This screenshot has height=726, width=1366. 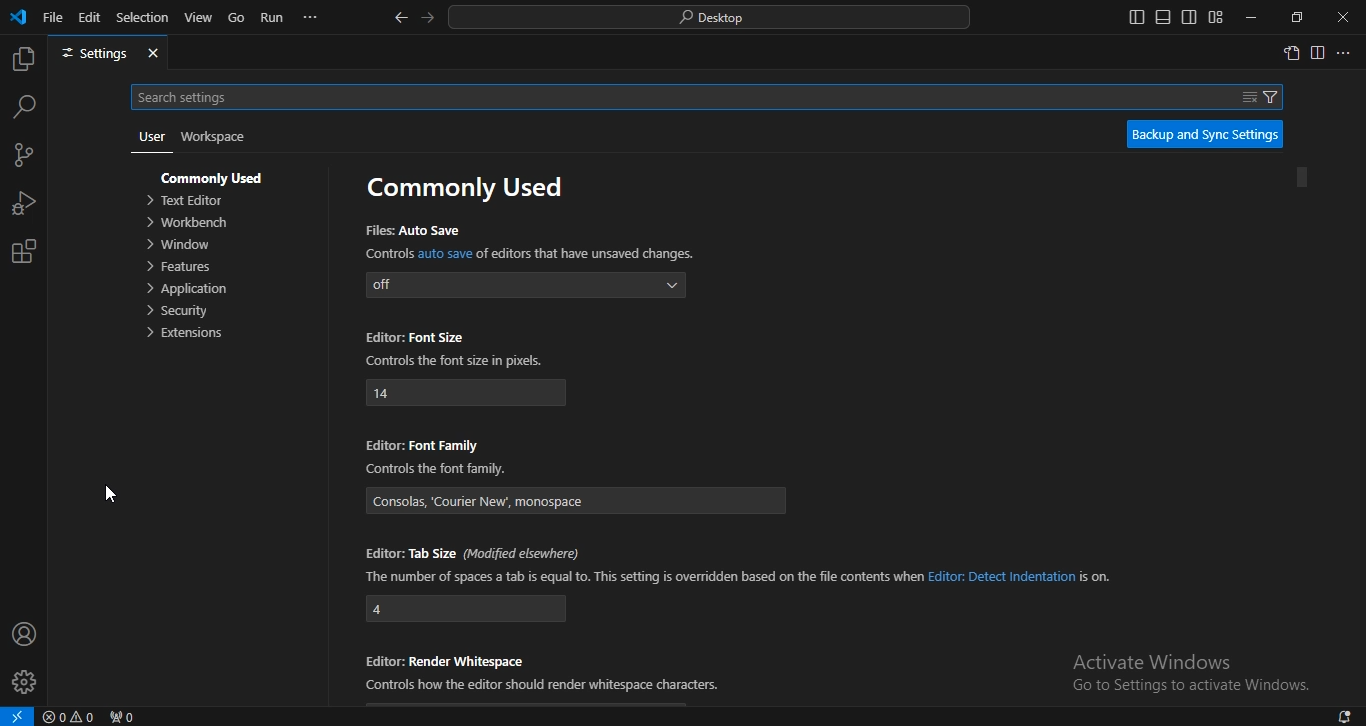 I want to click on Vertical scroll bar, so click(x=1304, y=177).